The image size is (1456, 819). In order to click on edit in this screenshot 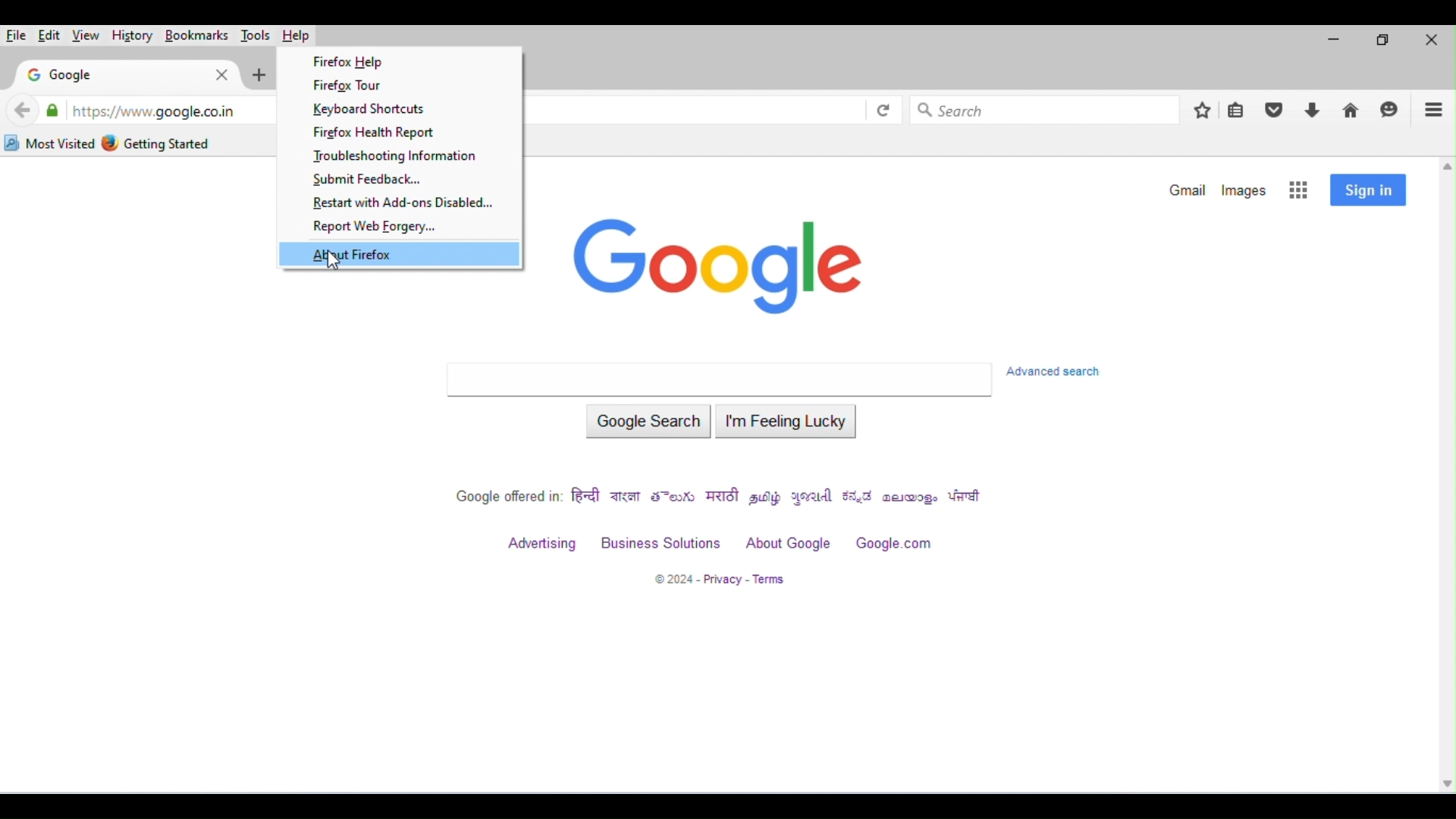, I will do `click(49, 35)`.